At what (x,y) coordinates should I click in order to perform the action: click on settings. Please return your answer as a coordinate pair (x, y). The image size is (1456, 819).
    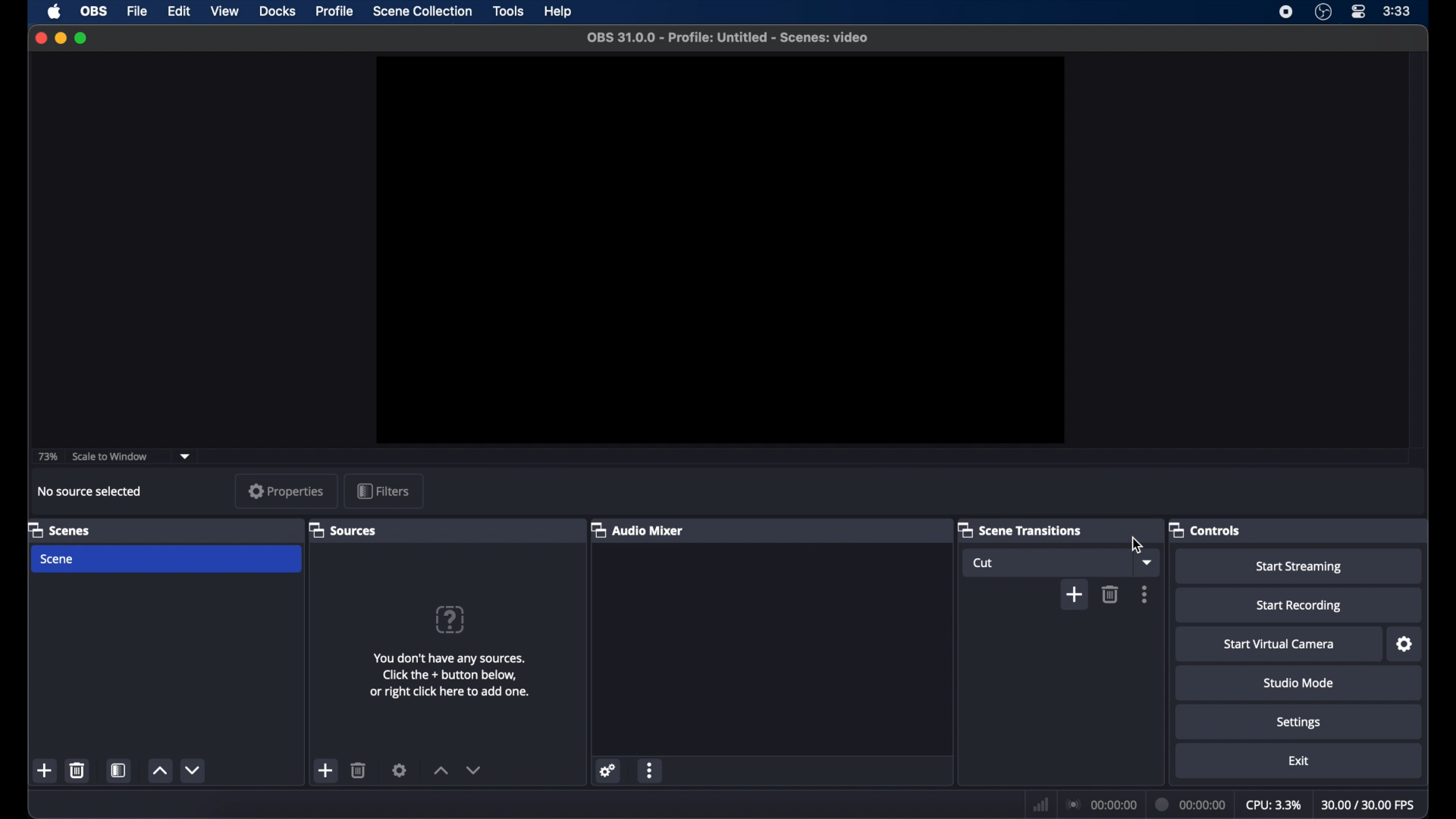
    Looking at the image, I should click on (1405, 645).